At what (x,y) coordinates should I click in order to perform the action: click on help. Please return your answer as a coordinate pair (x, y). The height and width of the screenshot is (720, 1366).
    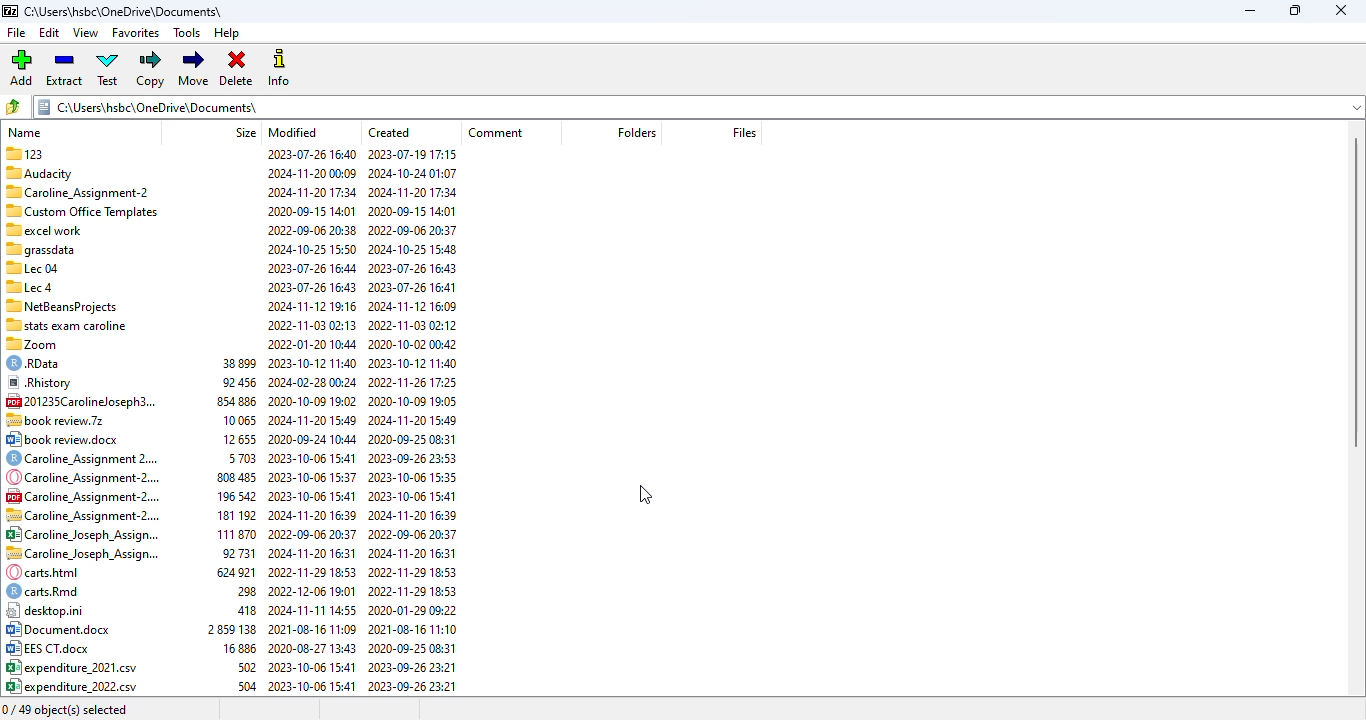
    Looking at the image, I should click on (227, 33).